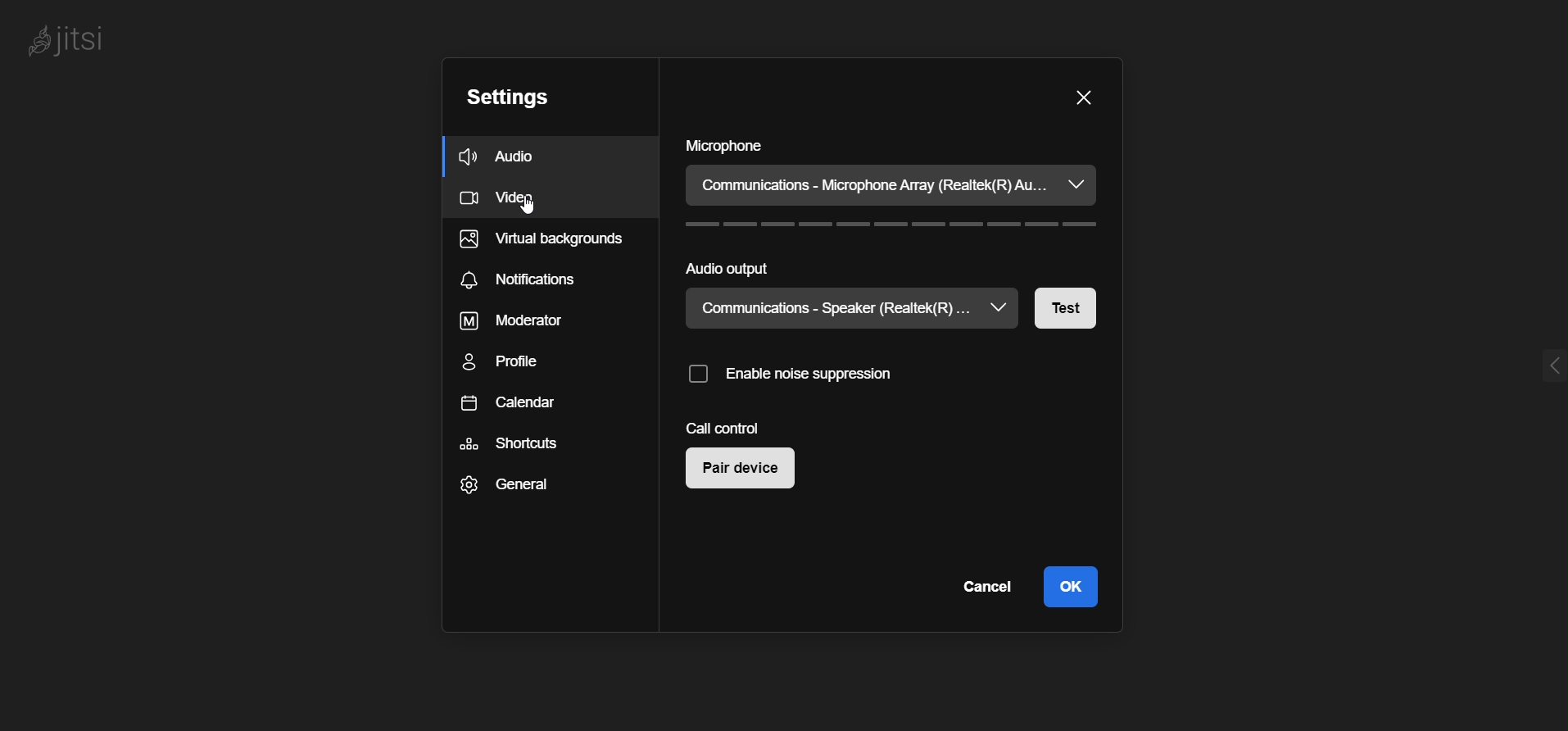  What do you see at coordinates (723, 427) in the screenshot?
I see `call control` at bounding box center [723, 427].